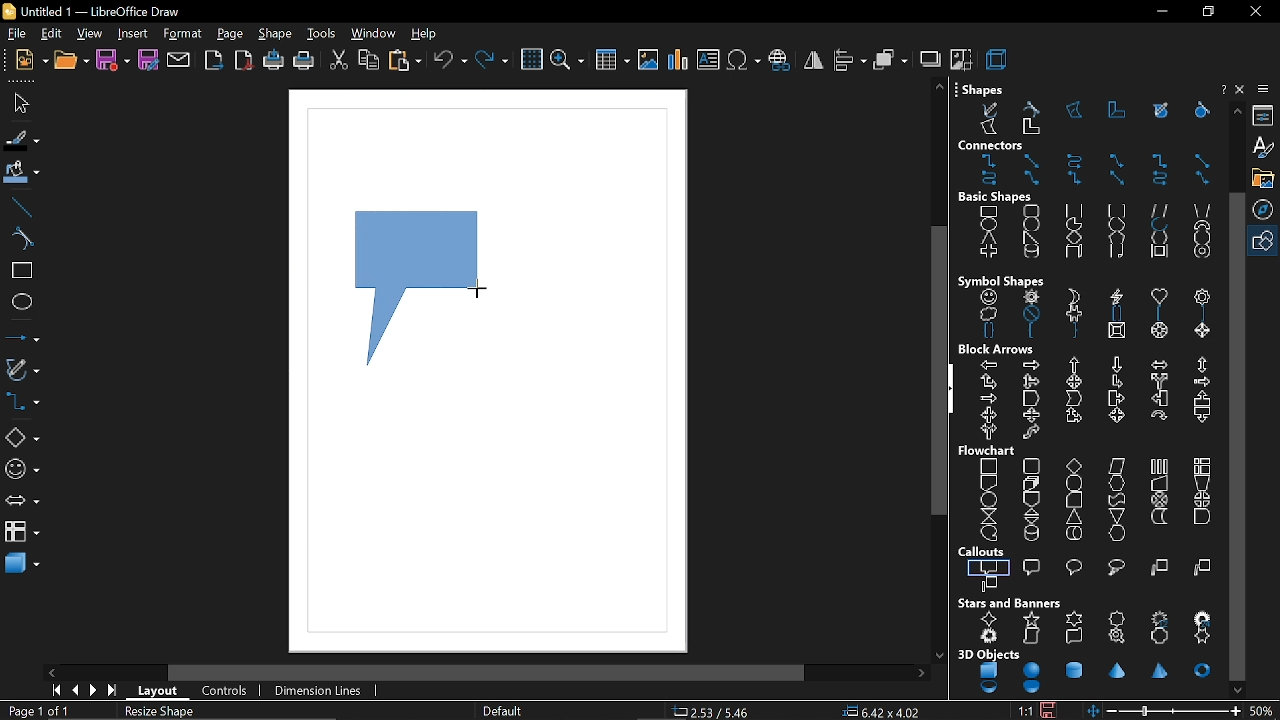 The image size is (1280, 720). Describe the element at coordinates (1265, 178) in the screenshot. I see `gallery` at that location.